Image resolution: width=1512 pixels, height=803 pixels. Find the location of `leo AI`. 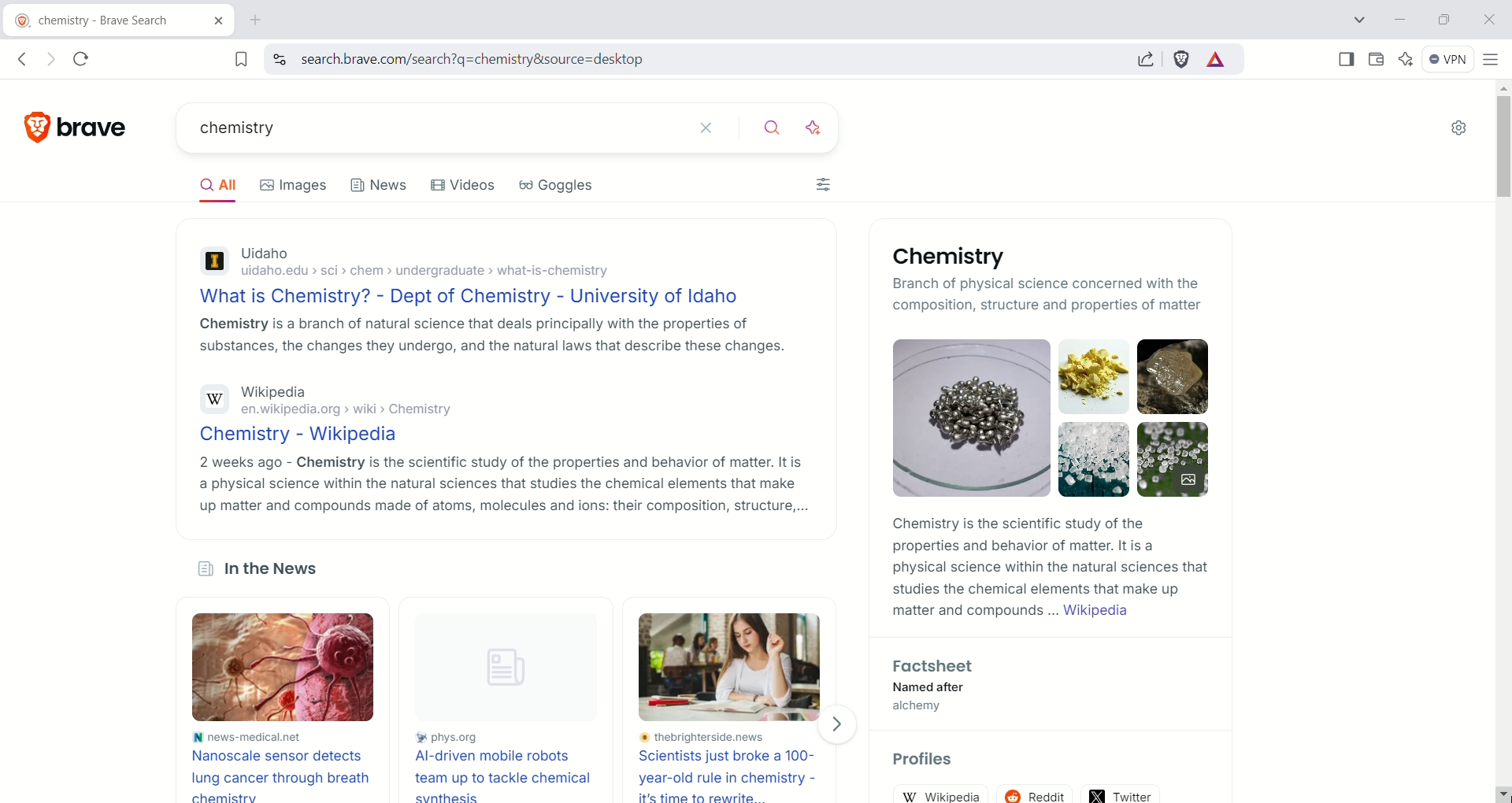

leo AI is located at coordinates (1406, 59).